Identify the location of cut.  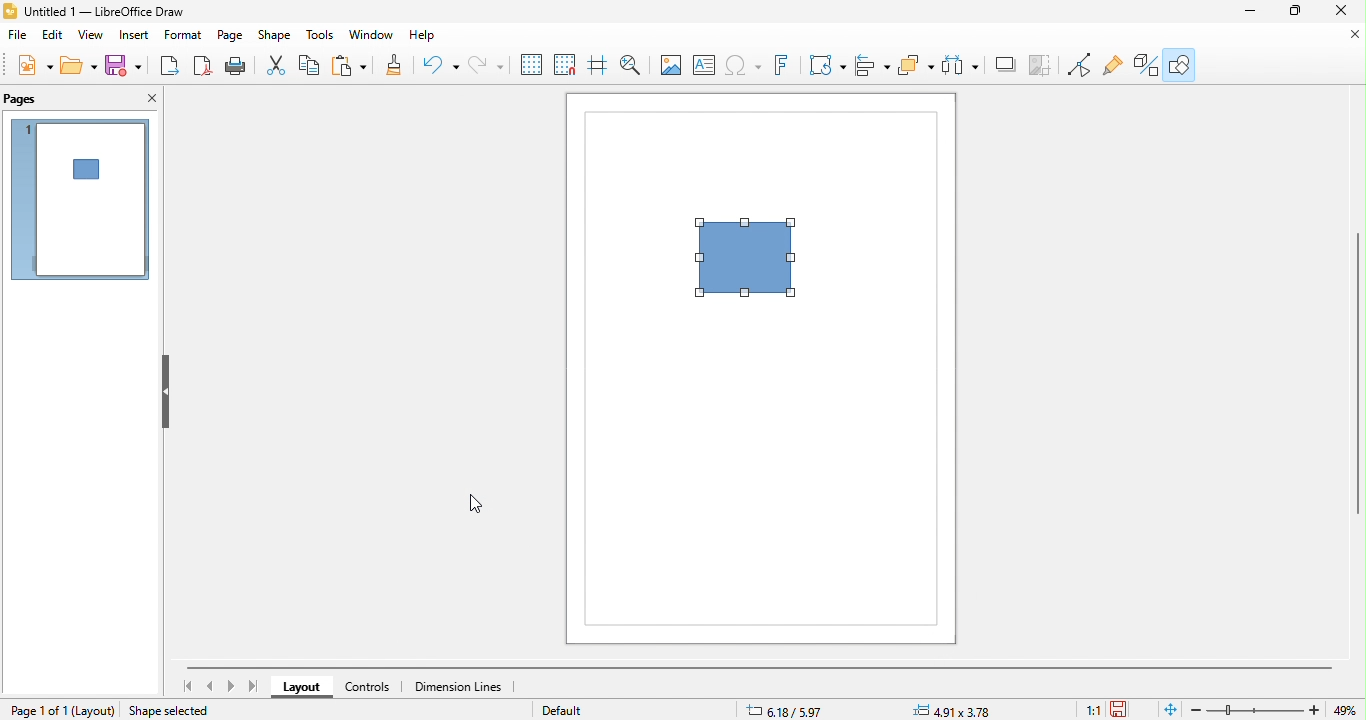
(279, 67).